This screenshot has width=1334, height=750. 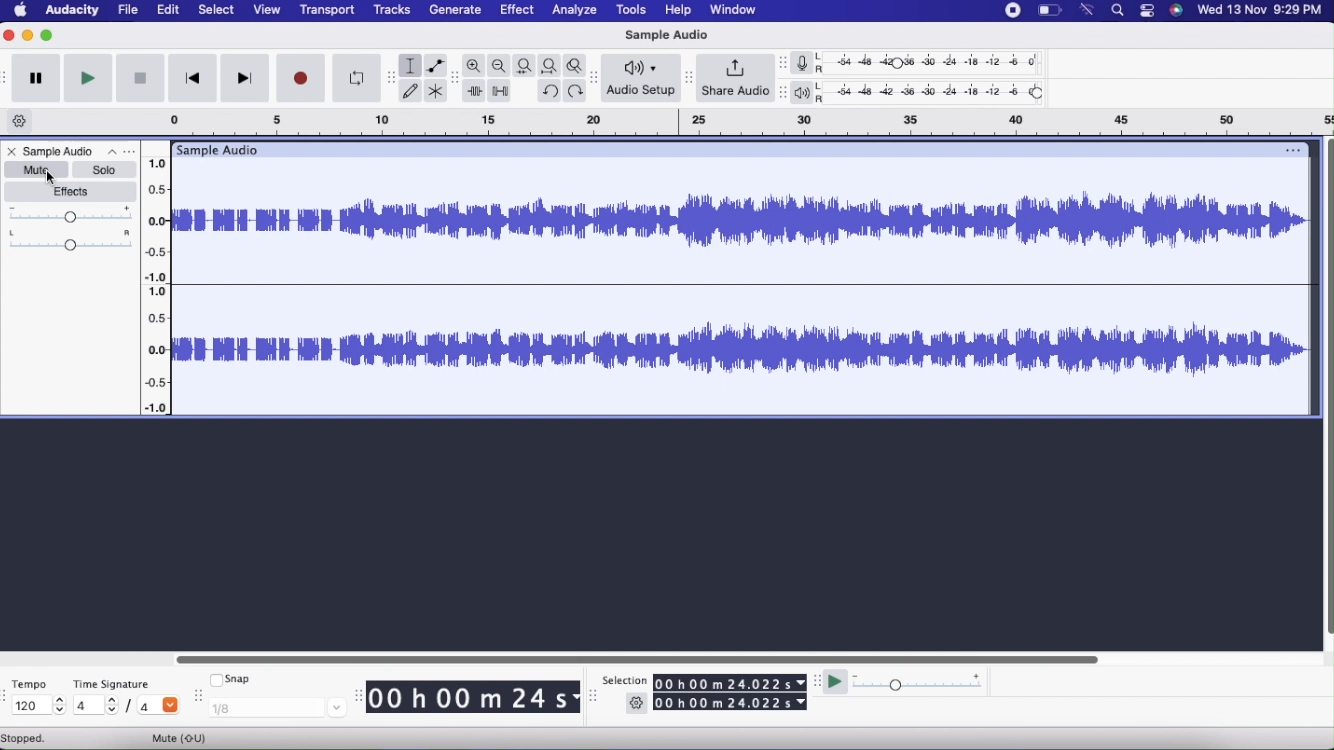 I want to click on Zoom out, so click(x=500, y=66).